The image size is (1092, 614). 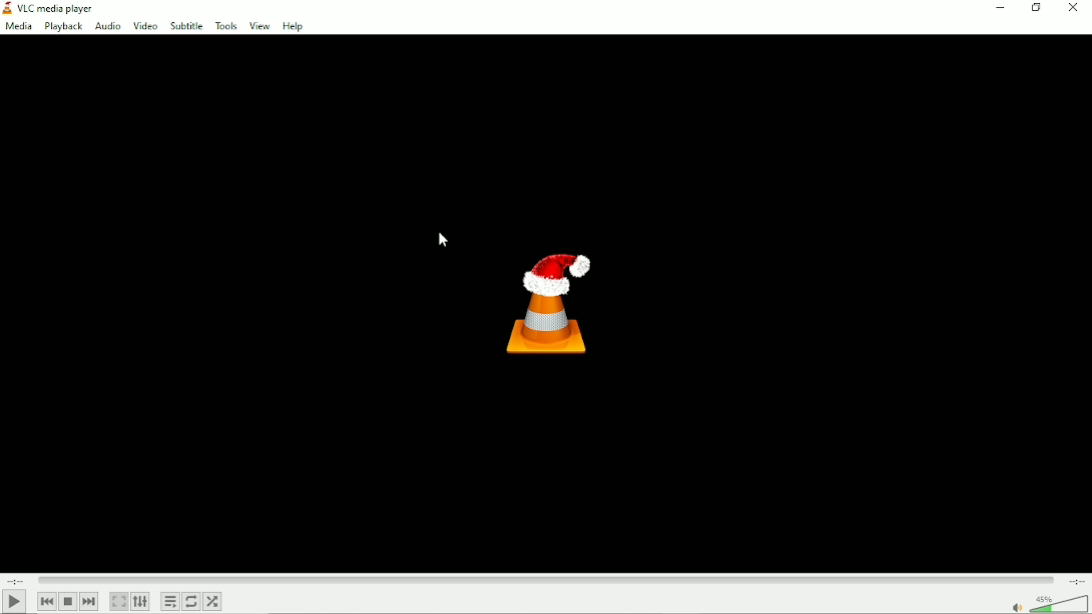 I want to click on Logo, so click(x=552, y=305).